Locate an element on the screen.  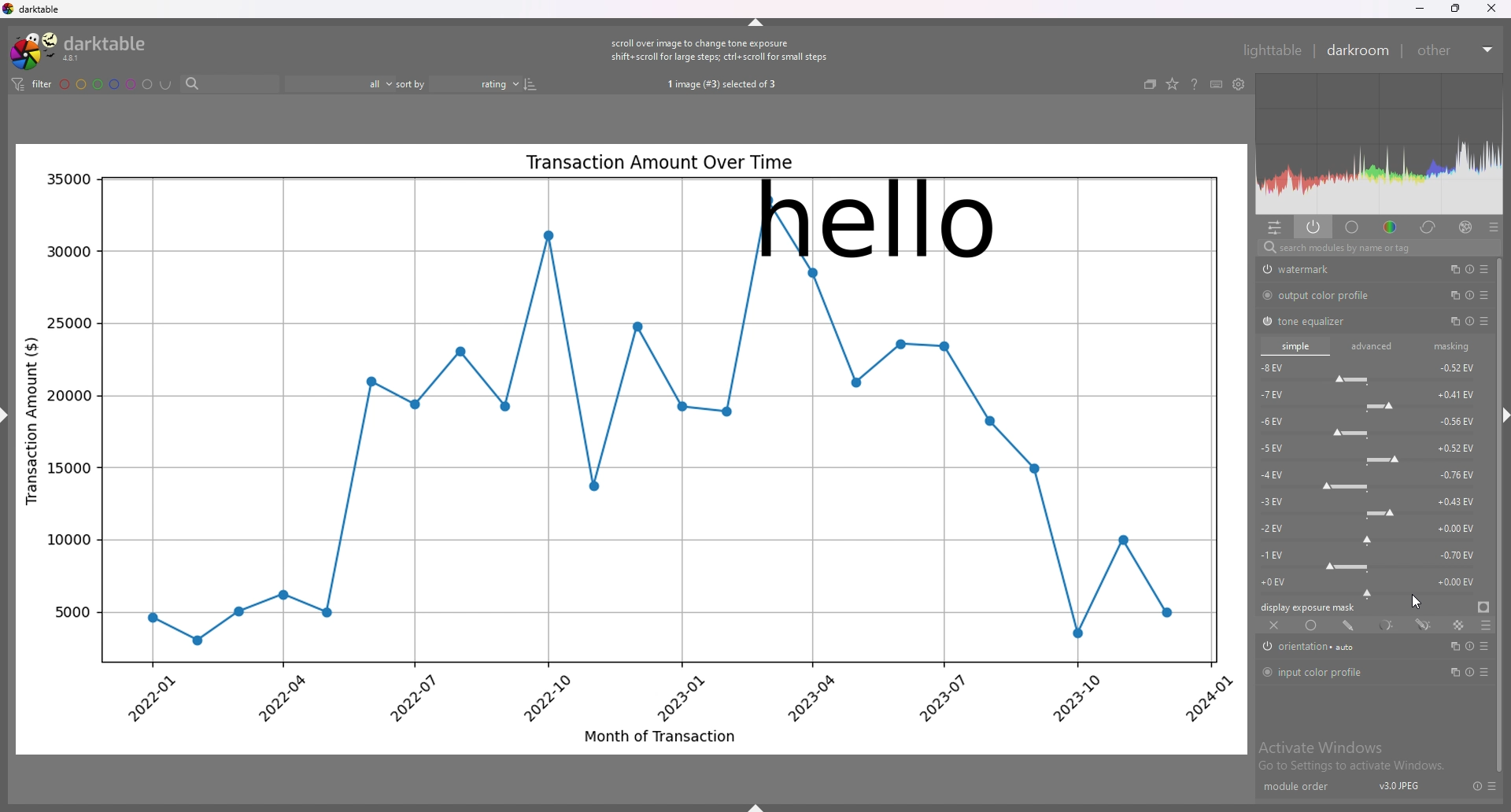
2023-01 is located at coordinates (679, 698).